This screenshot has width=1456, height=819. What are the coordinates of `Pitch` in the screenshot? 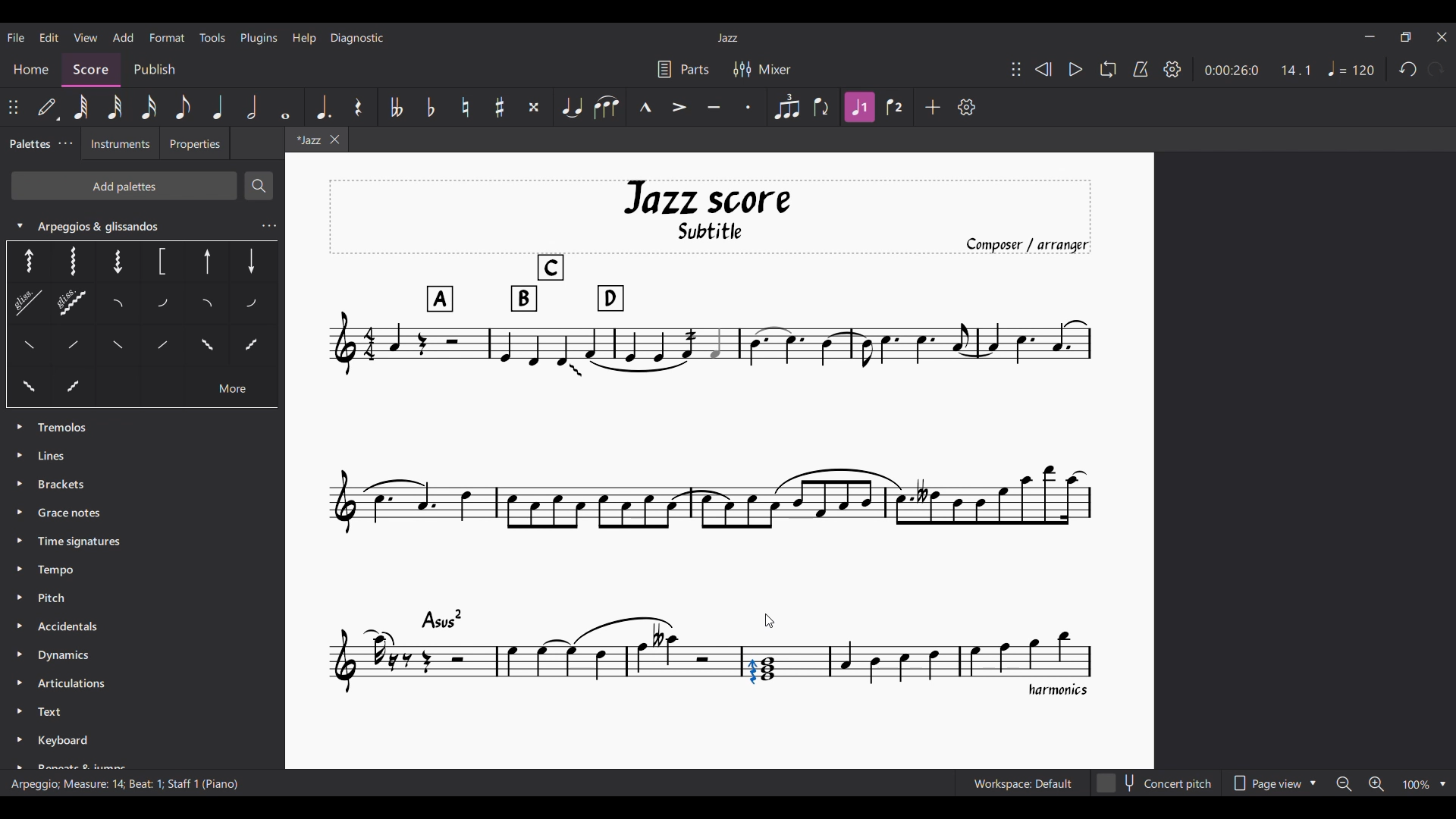 It's located at (59, 598).